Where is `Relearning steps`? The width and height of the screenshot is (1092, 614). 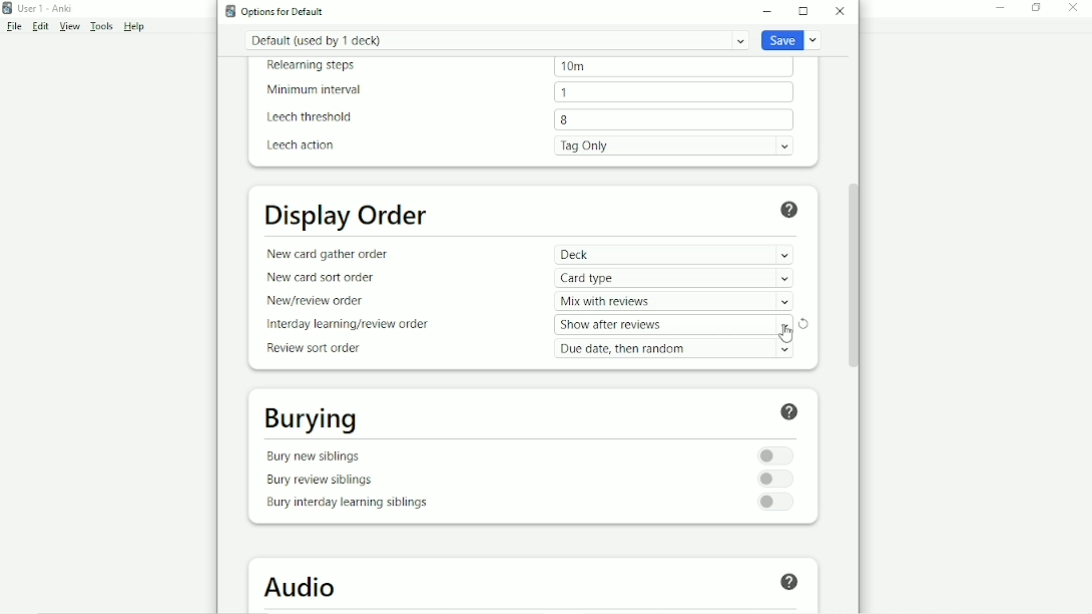
Relearning steps is located at coordinates (313, 67).